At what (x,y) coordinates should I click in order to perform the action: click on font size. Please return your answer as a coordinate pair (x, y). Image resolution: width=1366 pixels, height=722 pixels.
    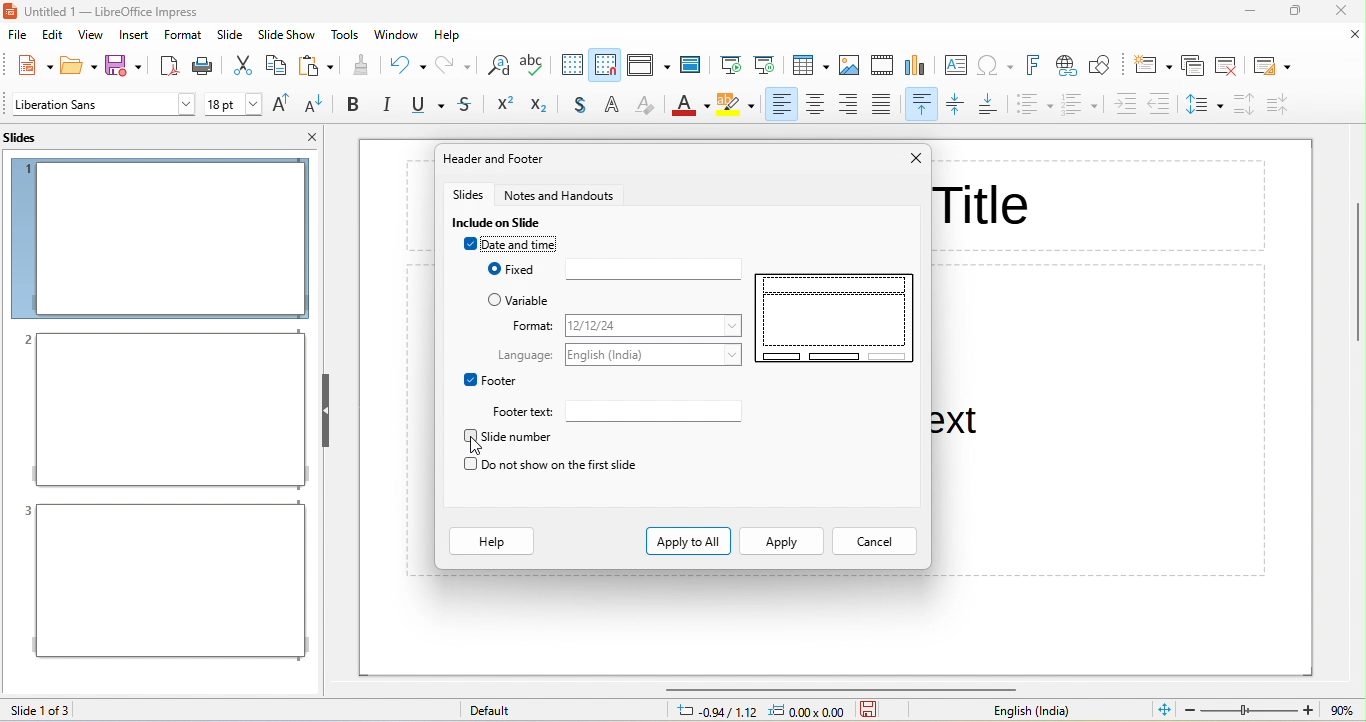
    Looking at the image, I should click on (233, 104).